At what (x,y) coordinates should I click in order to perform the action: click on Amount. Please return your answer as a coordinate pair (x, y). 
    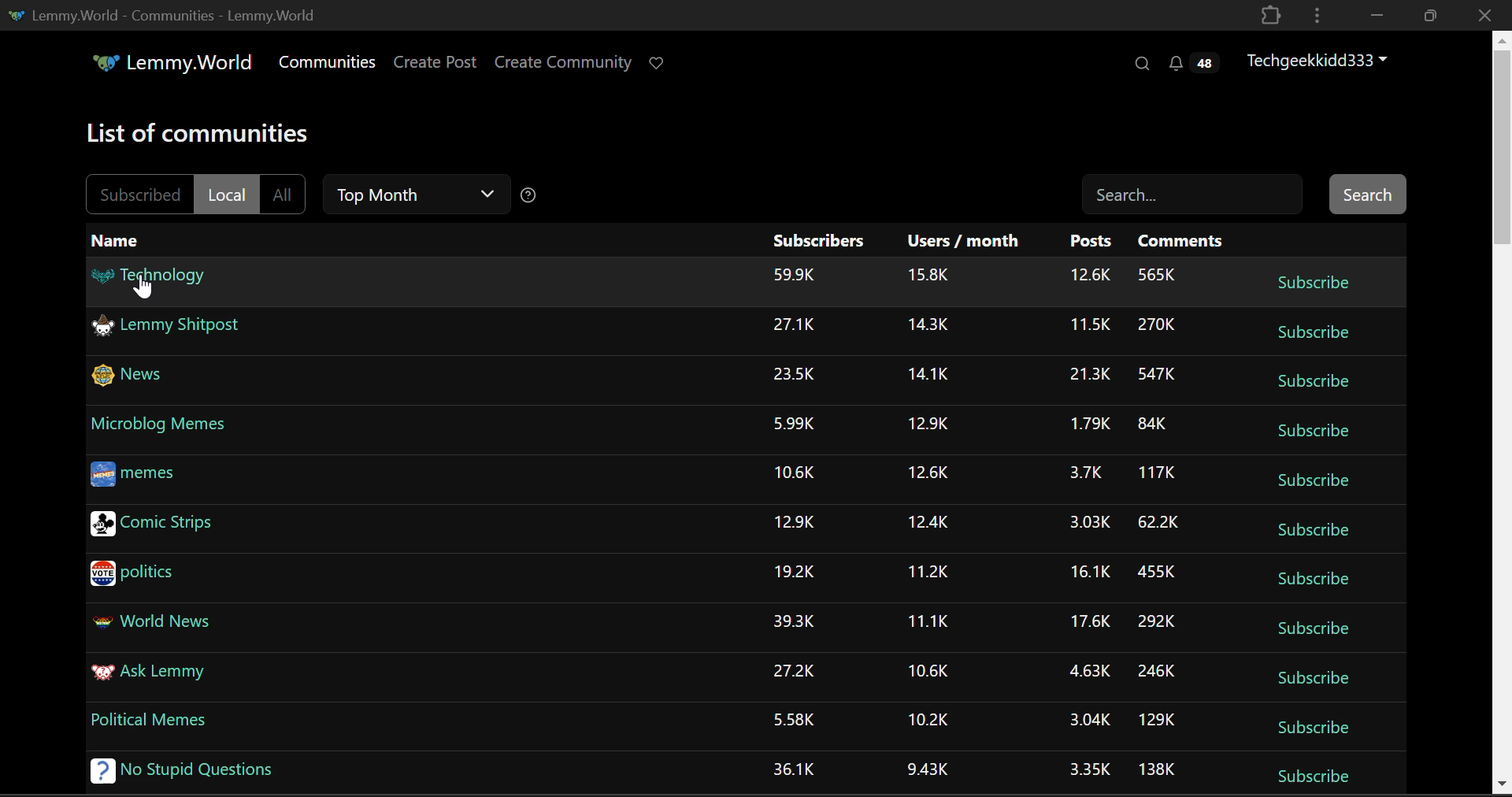
    Looking at the image, I should click on (1158, 325).